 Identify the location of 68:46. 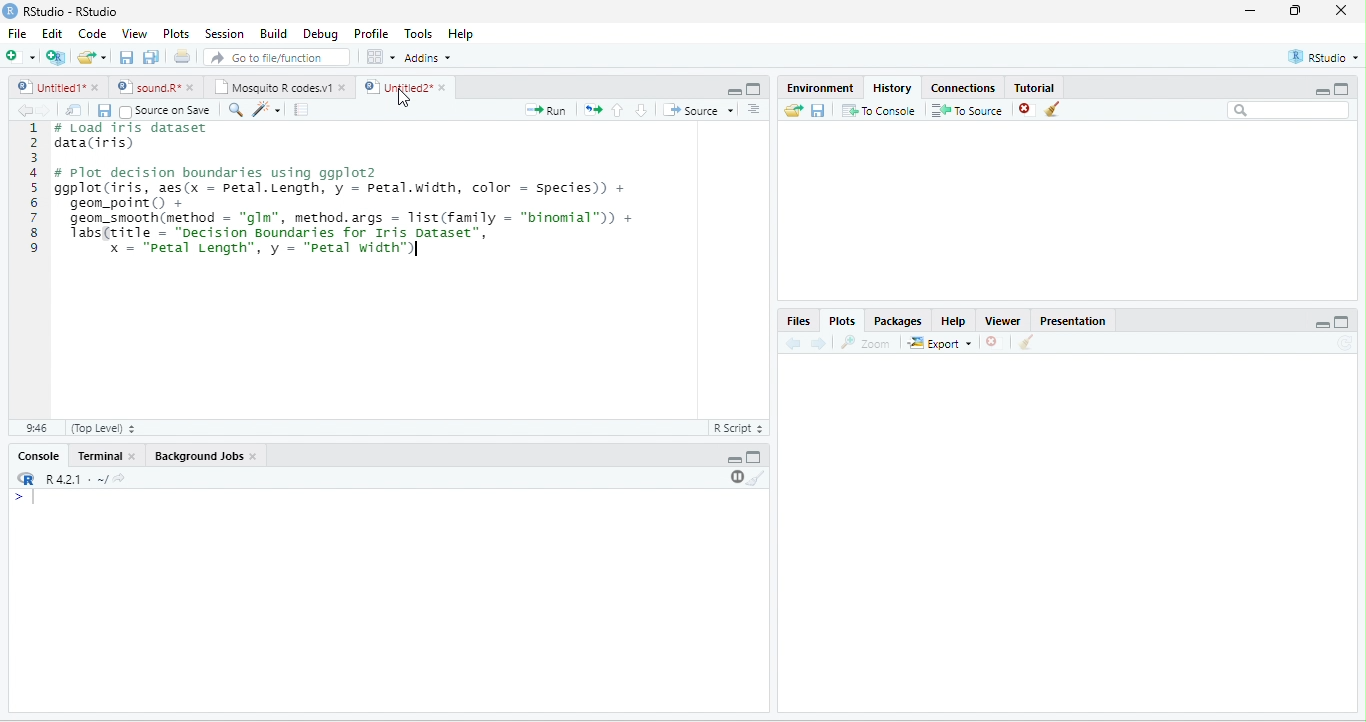
(36, 428).